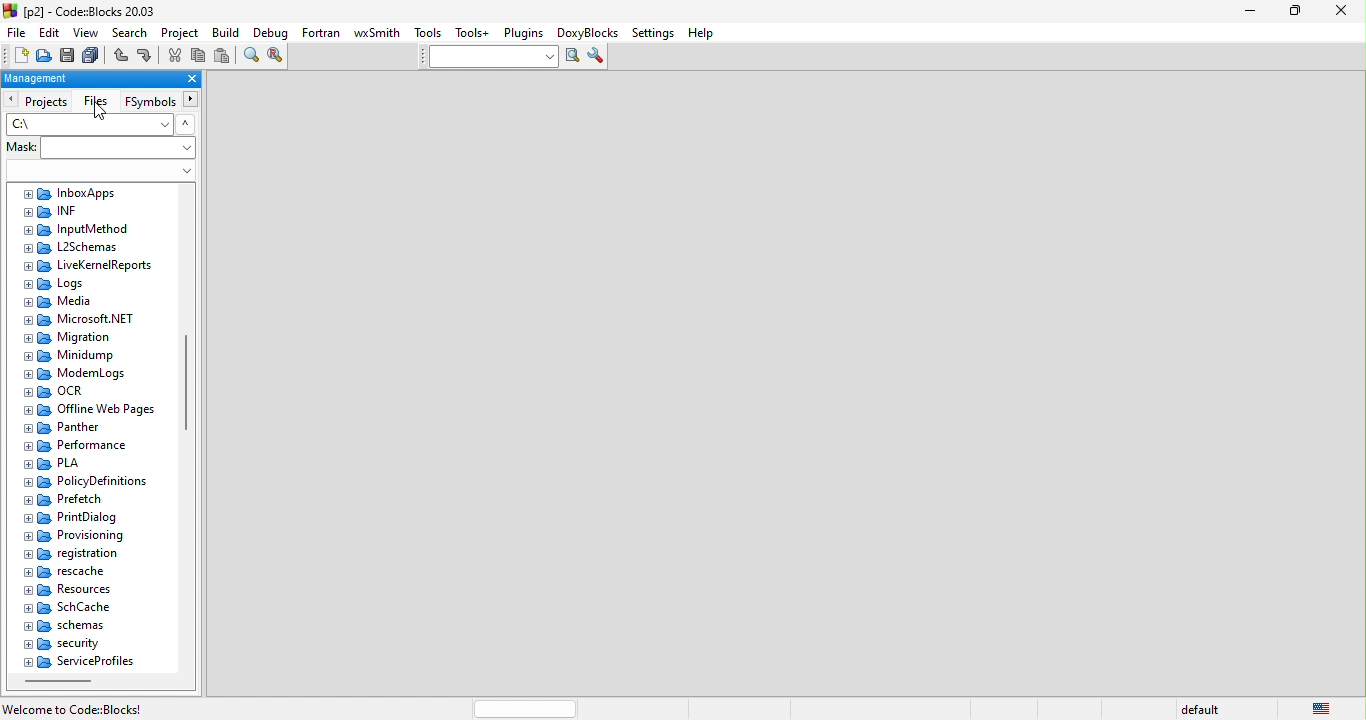  I want to click on show option window, so click(597, 55).